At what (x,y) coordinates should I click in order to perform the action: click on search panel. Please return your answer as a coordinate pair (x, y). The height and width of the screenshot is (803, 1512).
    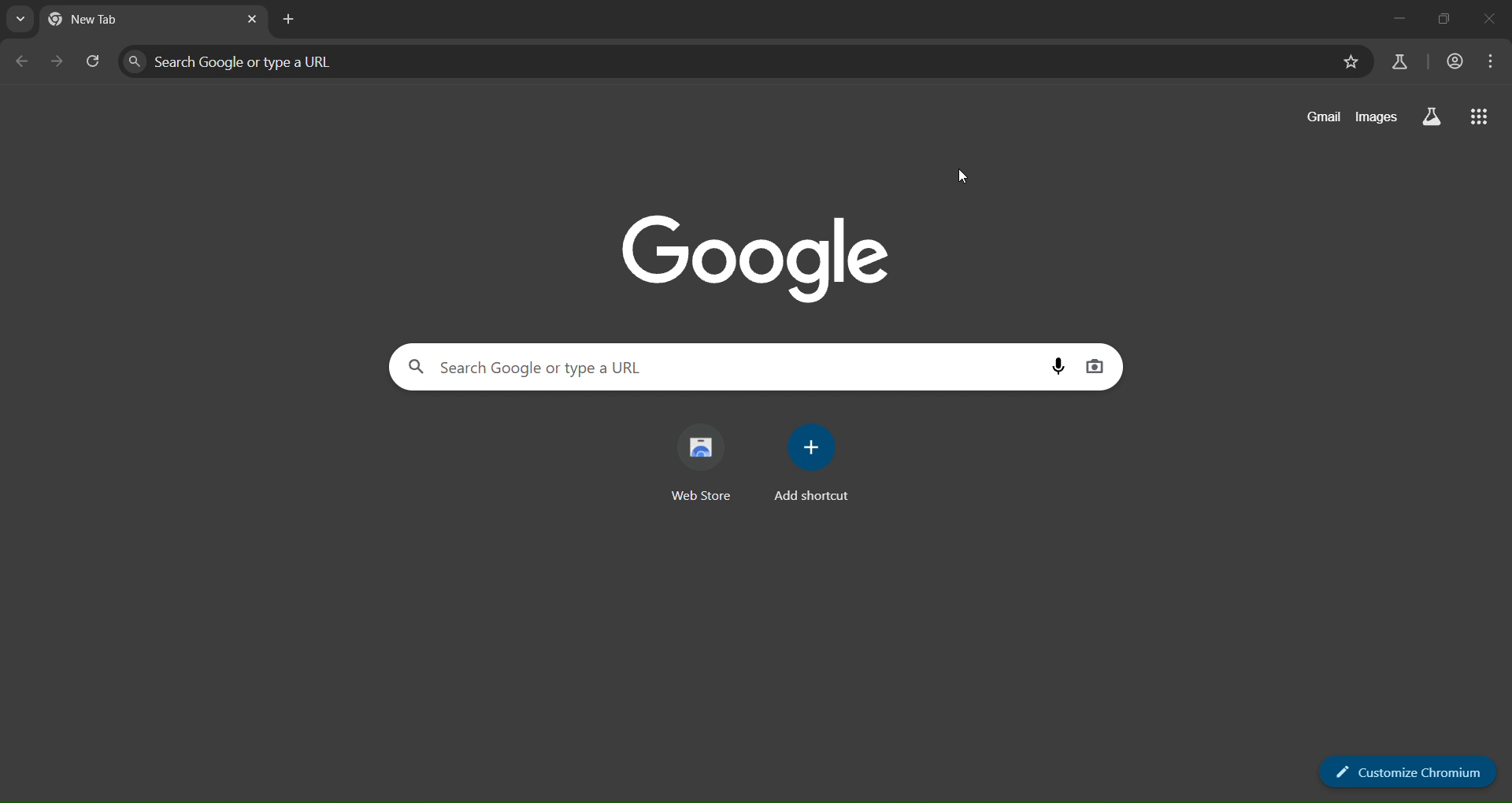
    Looking at the image, I should click on (295, 58).